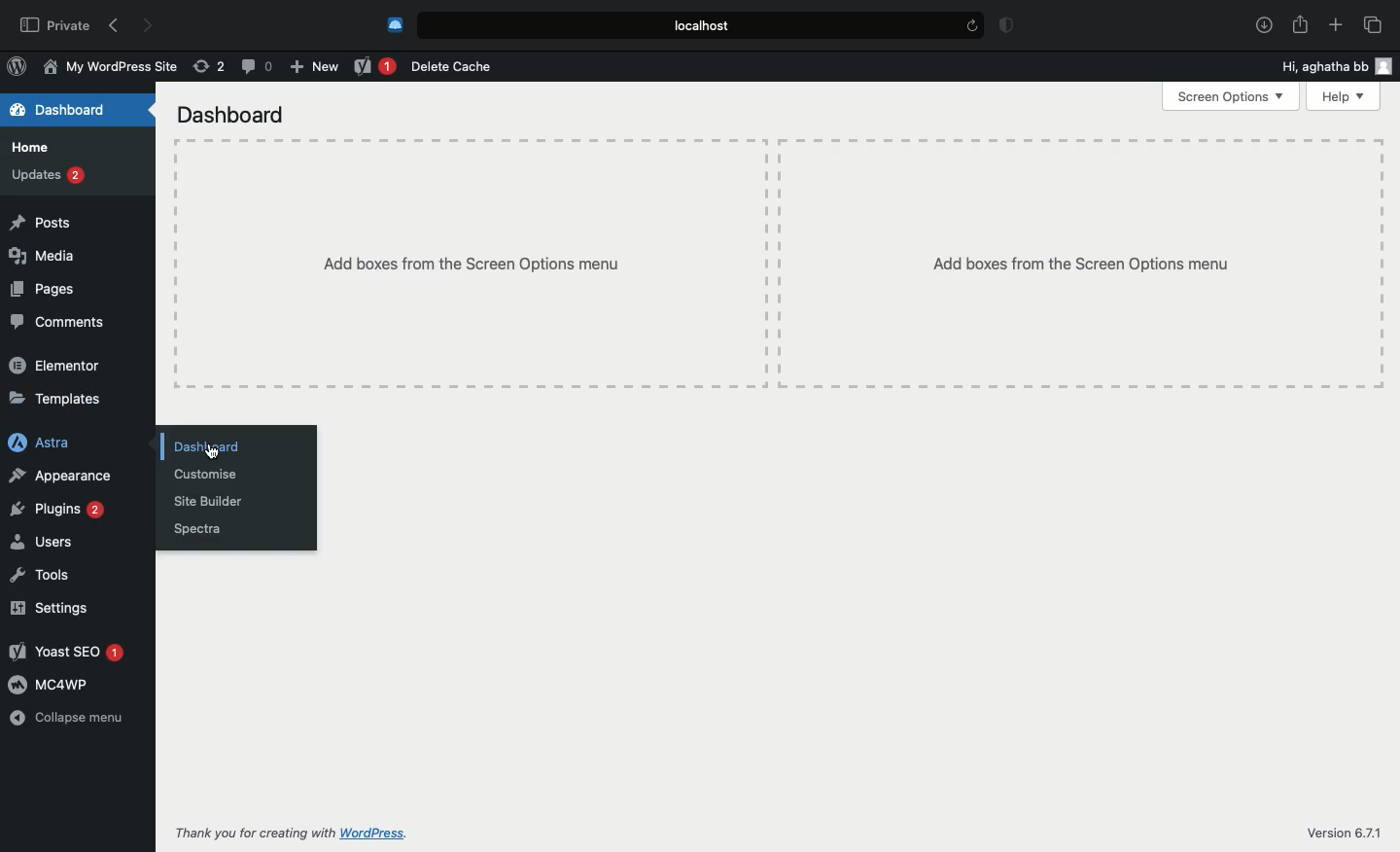  Describe the element at coordinates (212, 449) in the screenshot. I see `cursor` at that location.